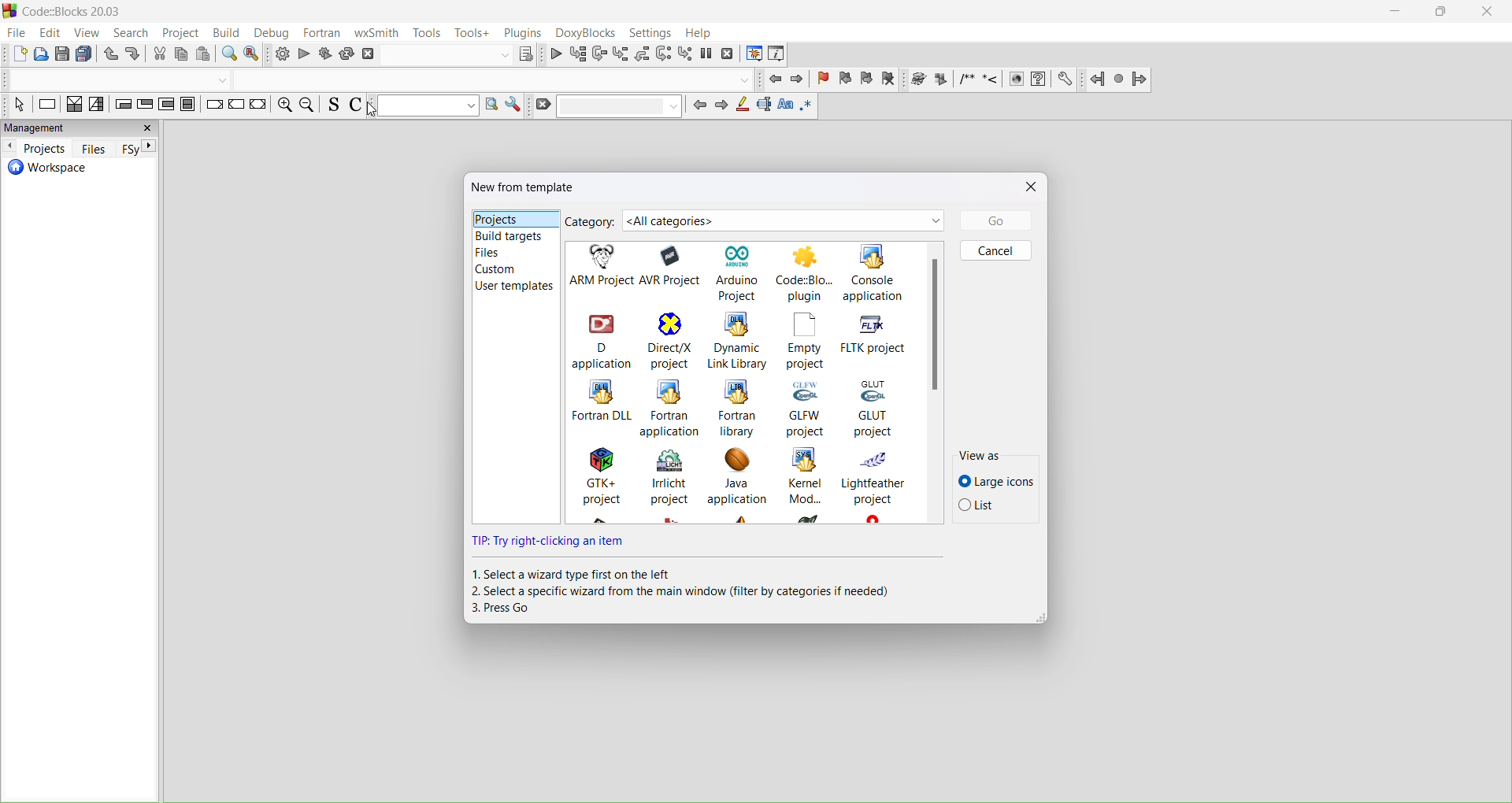 Image resolution: width=1512 pixels, height=803 pixels. Describe the element at coordinates (307, 106) in the screenshot. I see `zoom out` at that location.